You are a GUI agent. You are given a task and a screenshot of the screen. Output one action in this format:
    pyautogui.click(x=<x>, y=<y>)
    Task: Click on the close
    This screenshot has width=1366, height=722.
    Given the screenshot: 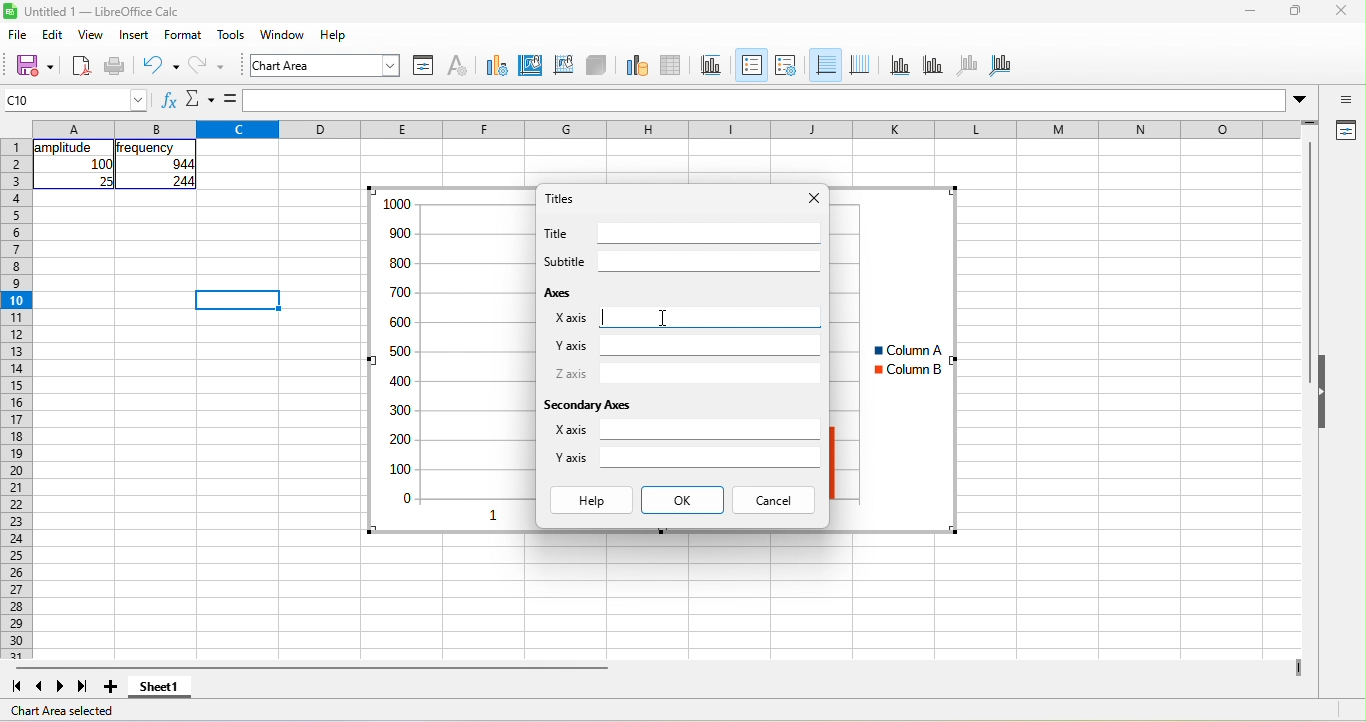 What is the action you would take?
    pyautogui.click(x=1342, y=10)
    